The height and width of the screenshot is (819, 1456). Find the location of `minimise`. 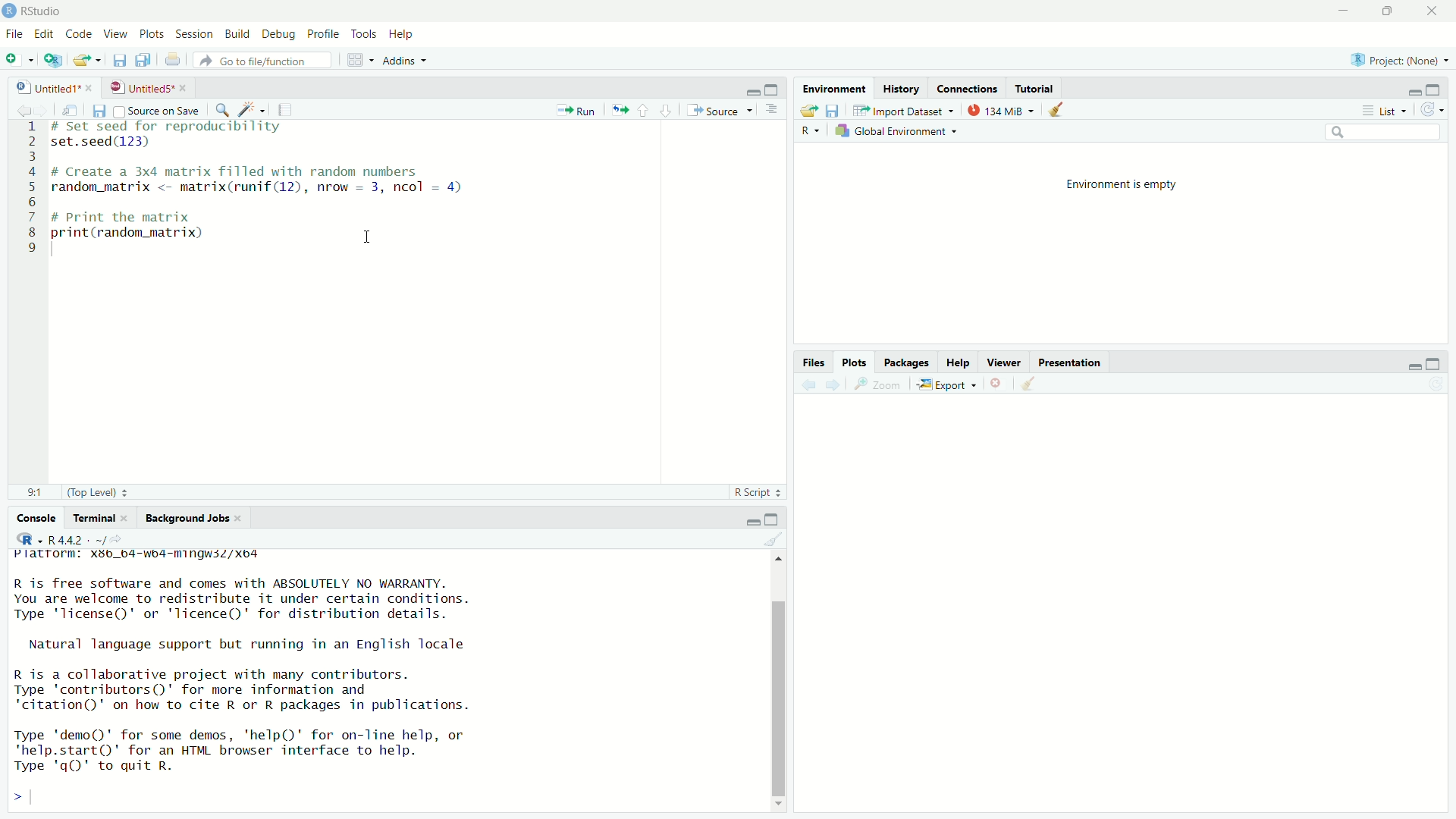

minimise is located at coordinates (745, 91).